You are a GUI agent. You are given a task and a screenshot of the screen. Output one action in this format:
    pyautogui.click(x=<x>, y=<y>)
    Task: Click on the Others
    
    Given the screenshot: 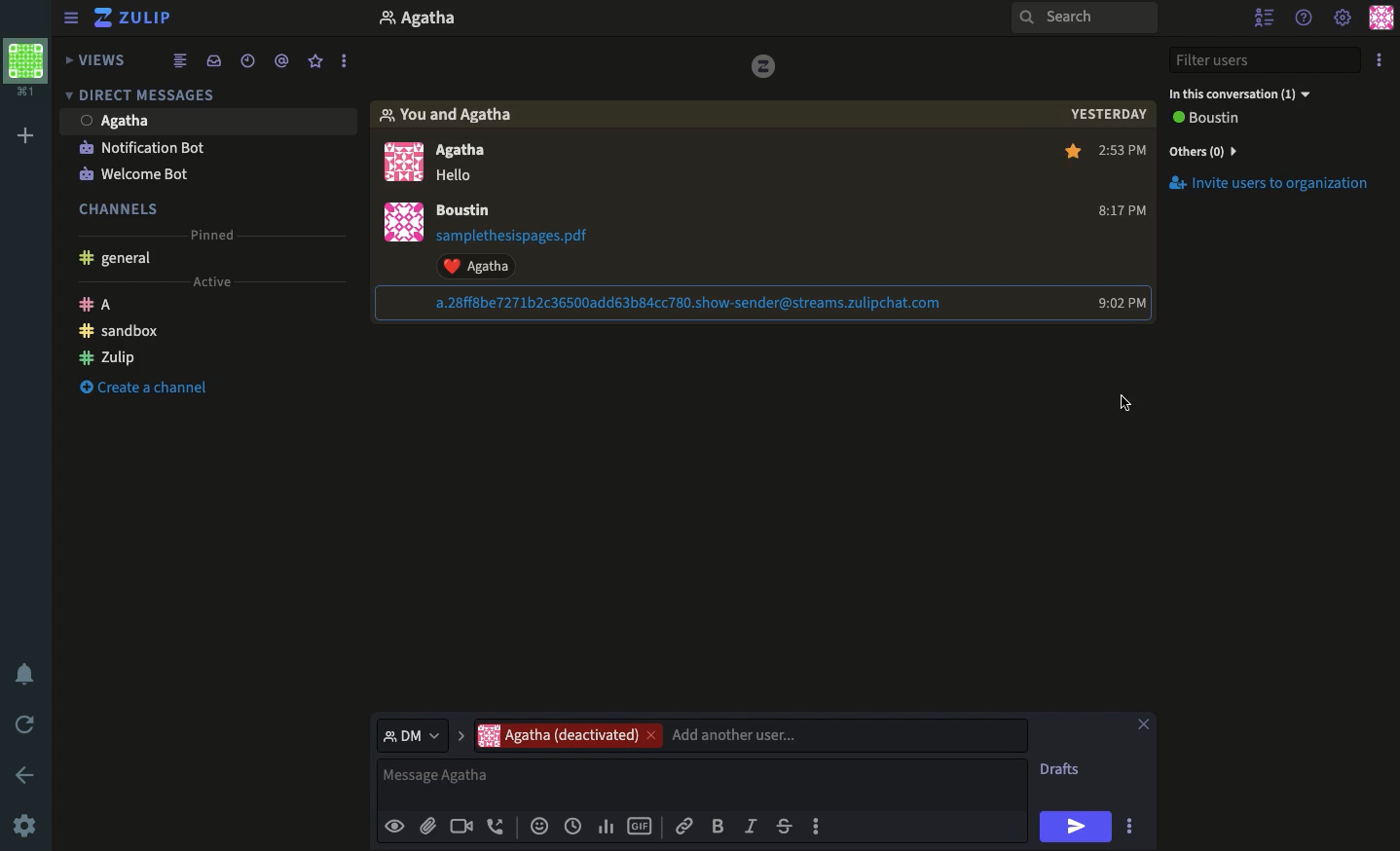 What is the action you would take?
    pyautogui.click(x=1215, y=152)
    